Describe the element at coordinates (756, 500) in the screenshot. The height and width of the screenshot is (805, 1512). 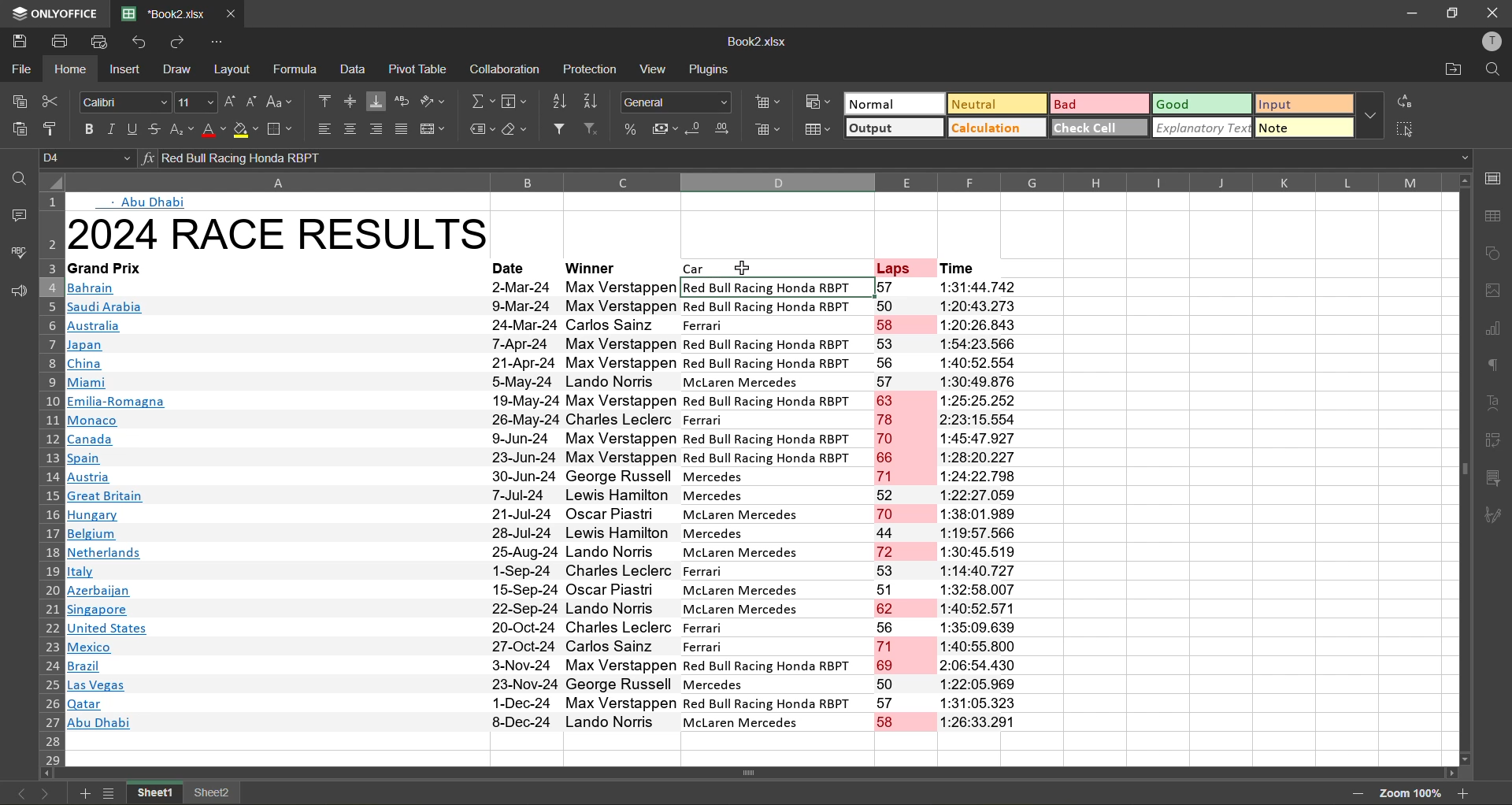
I see `Data` at that location.